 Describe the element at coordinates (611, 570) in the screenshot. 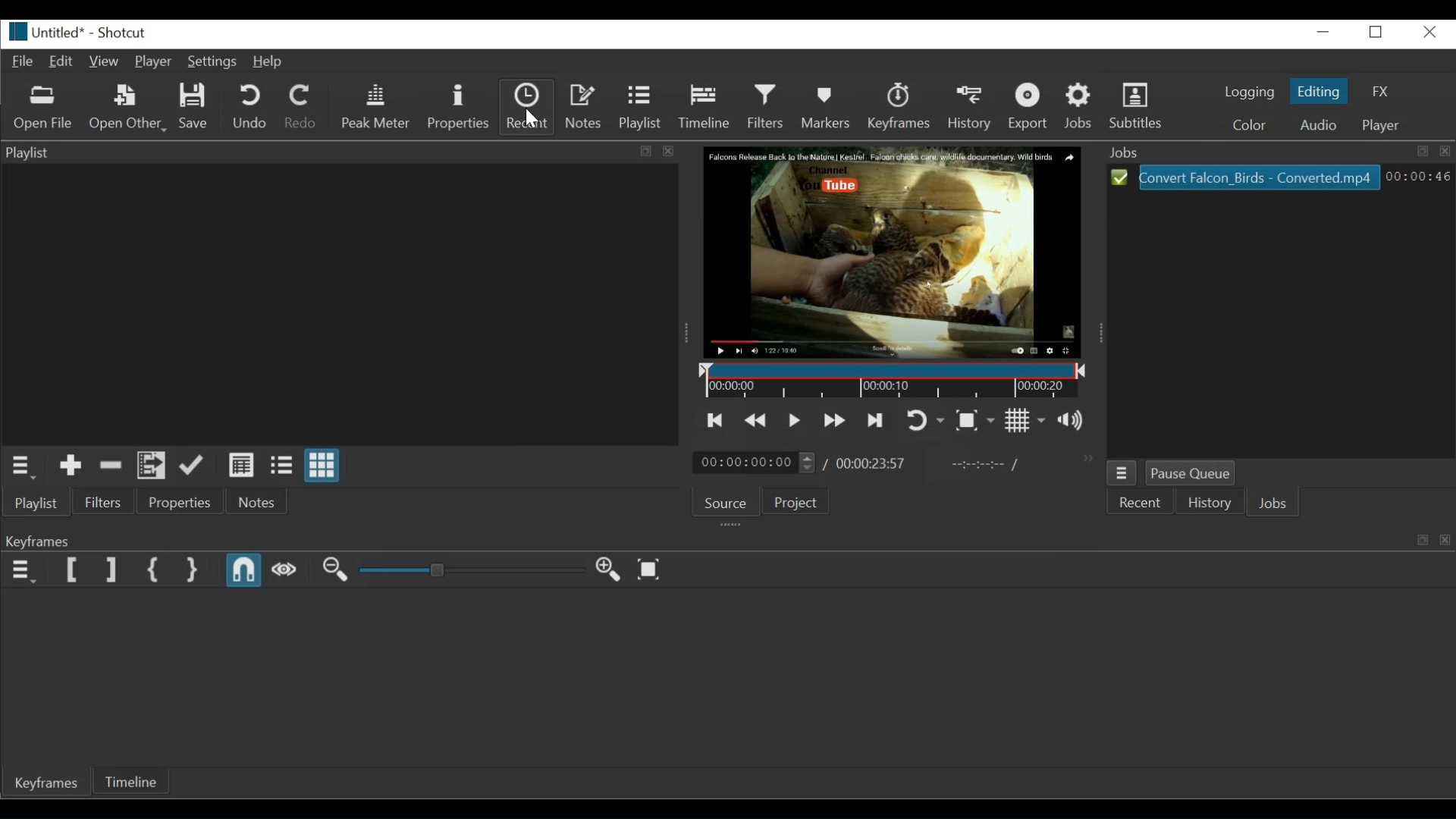

I see `Zoom keyframe in` at that location.